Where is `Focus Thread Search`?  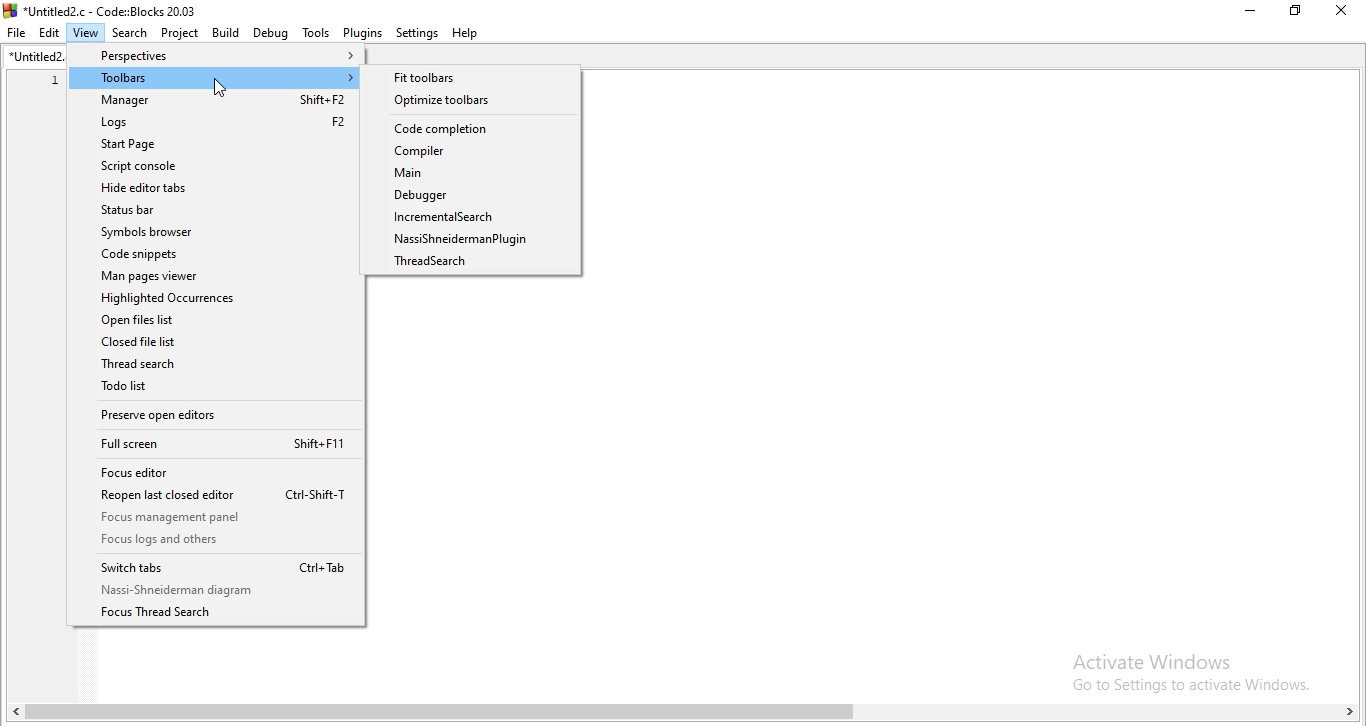
Focus Thread Search is located at coordinates (219, 617).